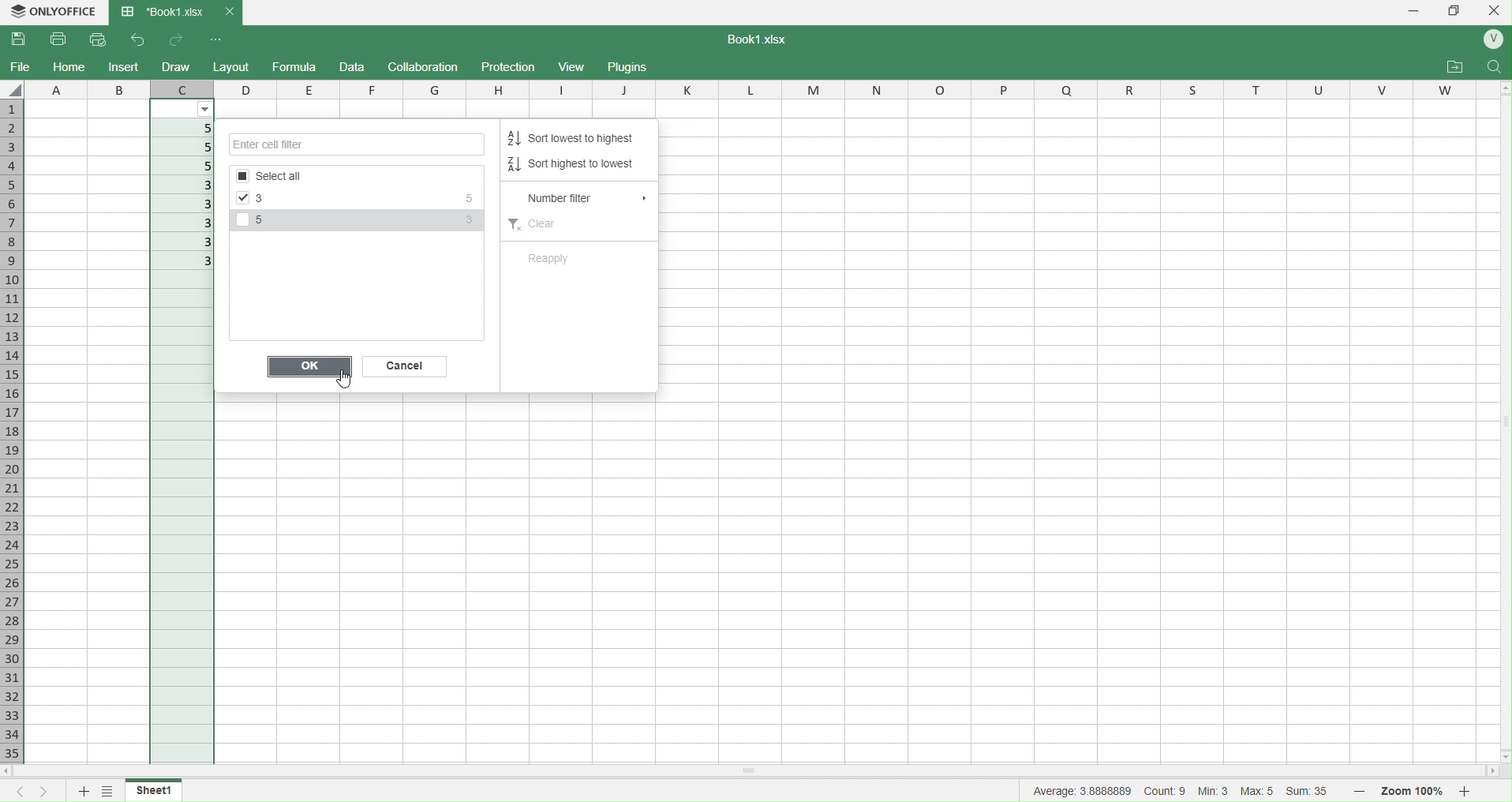 This screenshot has height=802, width=1512. What do you see at coordinates (98, 39) in the screenshot?
I see `Quick Print` at bounding box center [98, 39].